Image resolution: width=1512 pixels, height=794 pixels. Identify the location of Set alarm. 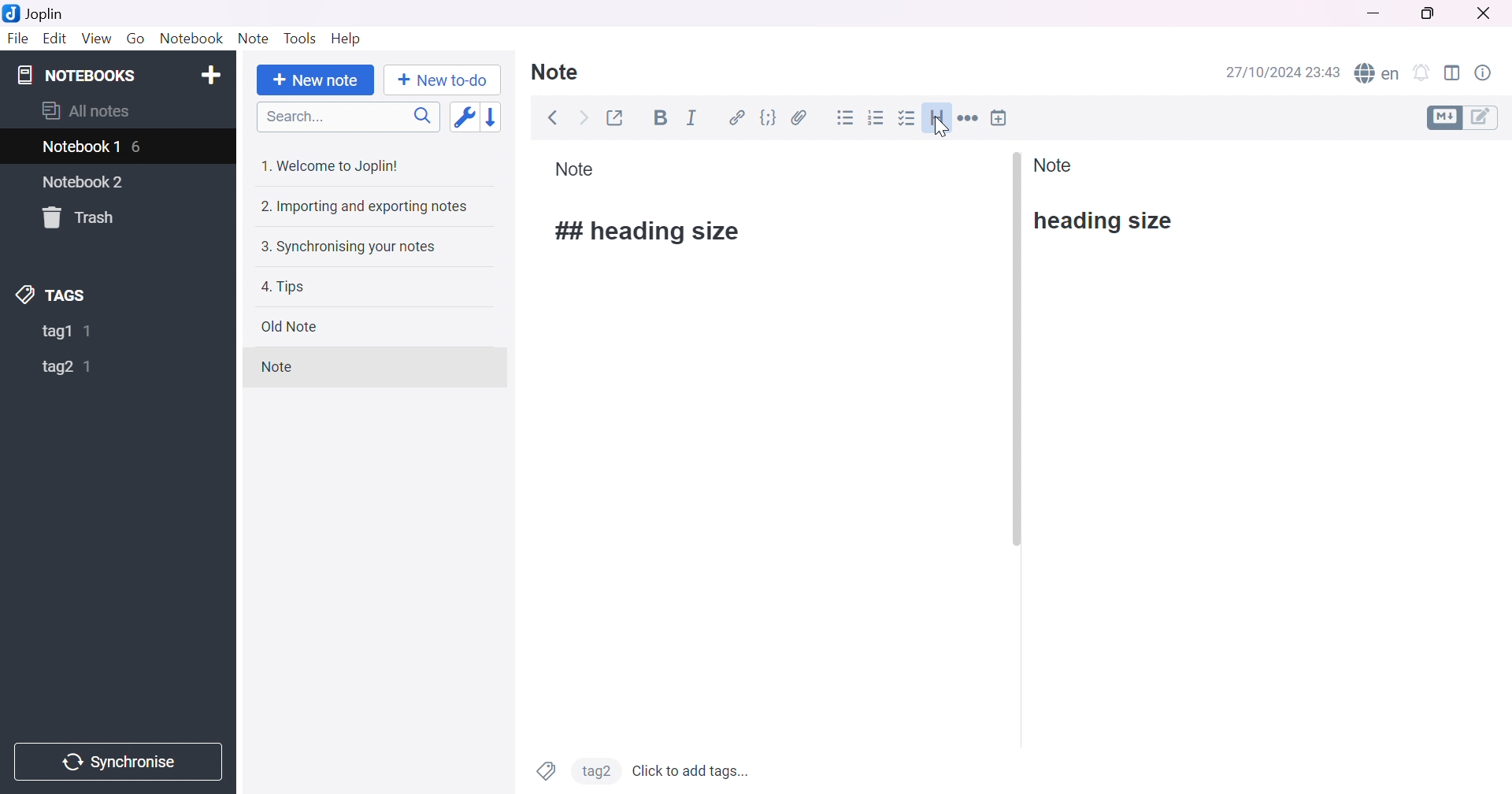
(1423, 72).